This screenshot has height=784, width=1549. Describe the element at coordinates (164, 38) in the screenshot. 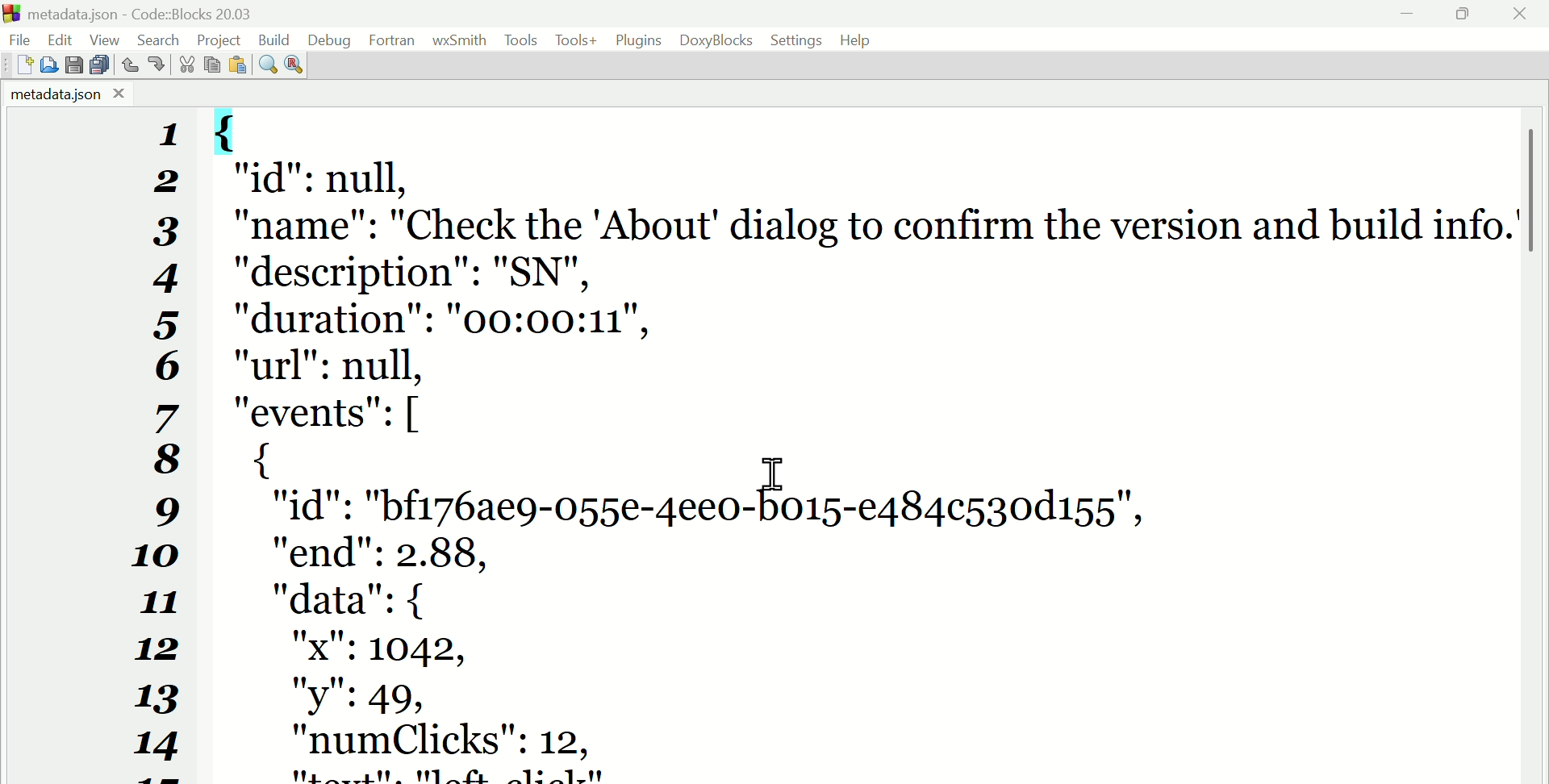

I see `Search` at that location.